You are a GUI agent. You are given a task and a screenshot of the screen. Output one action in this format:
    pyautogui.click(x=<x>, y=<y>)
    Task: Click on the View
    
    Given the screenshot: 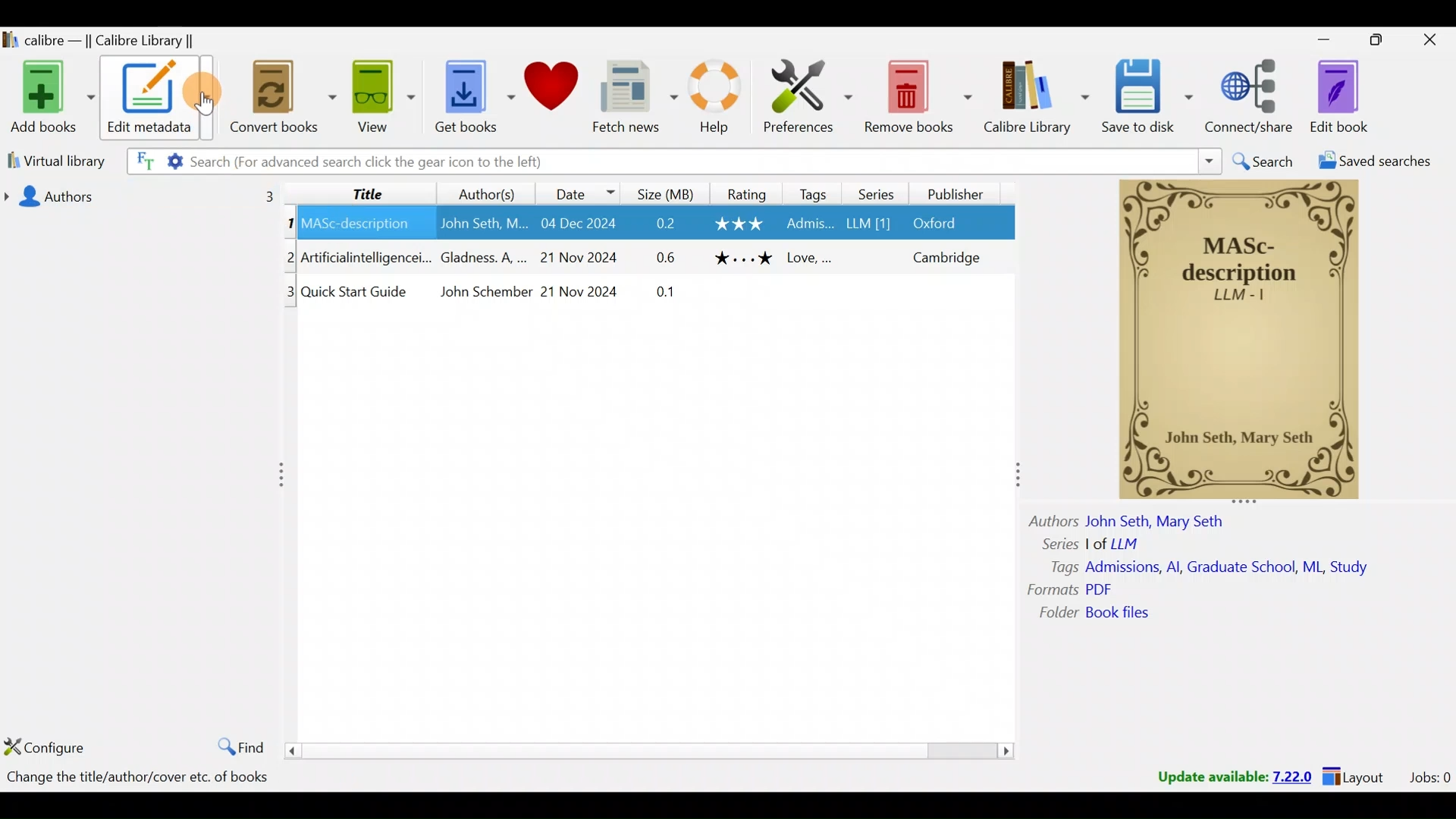 What is the action you would take?
    pyautogui.click(x=384, y=97)
    